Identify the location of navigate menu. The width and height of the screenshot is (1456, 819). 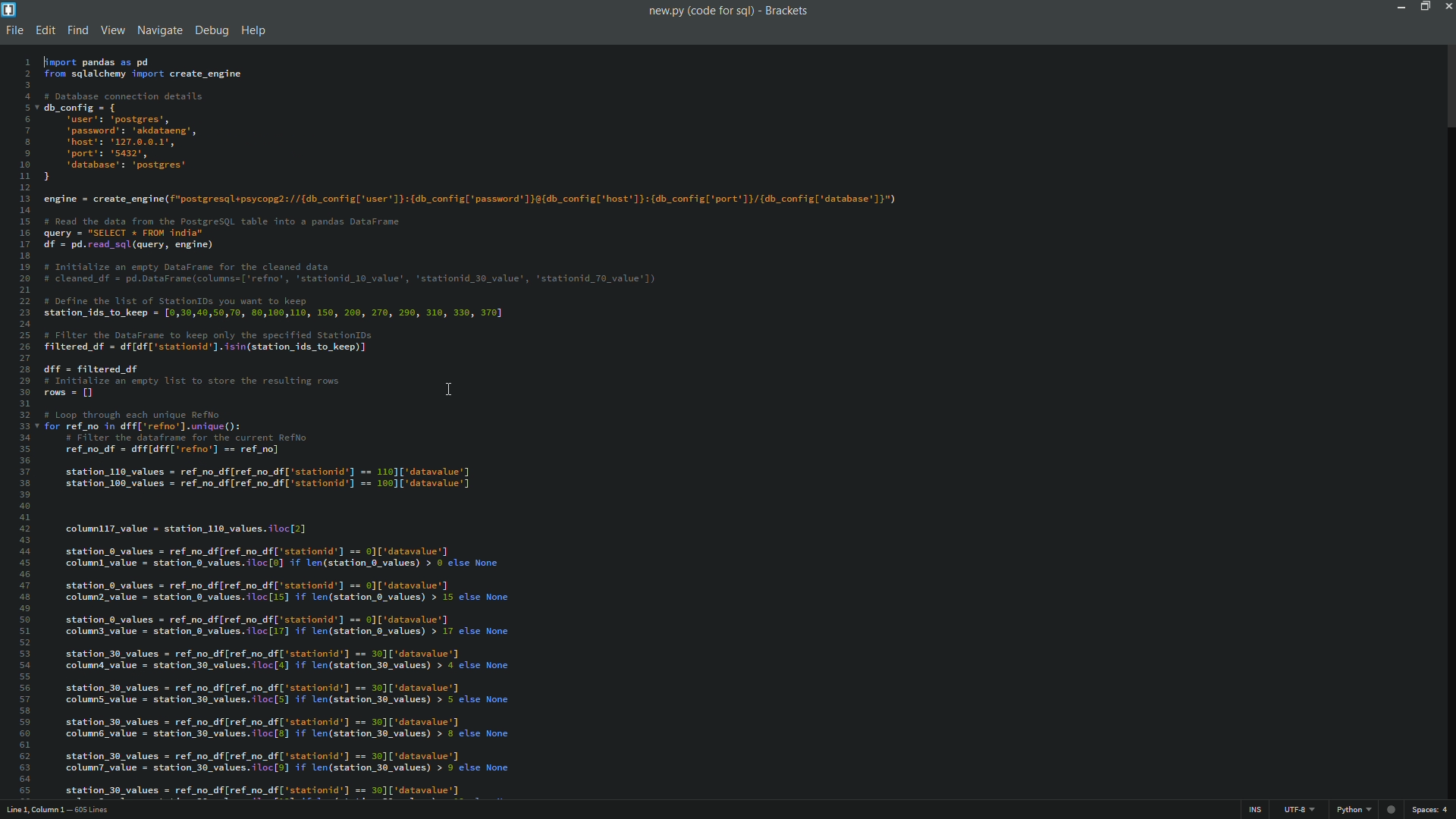
(159, 30).